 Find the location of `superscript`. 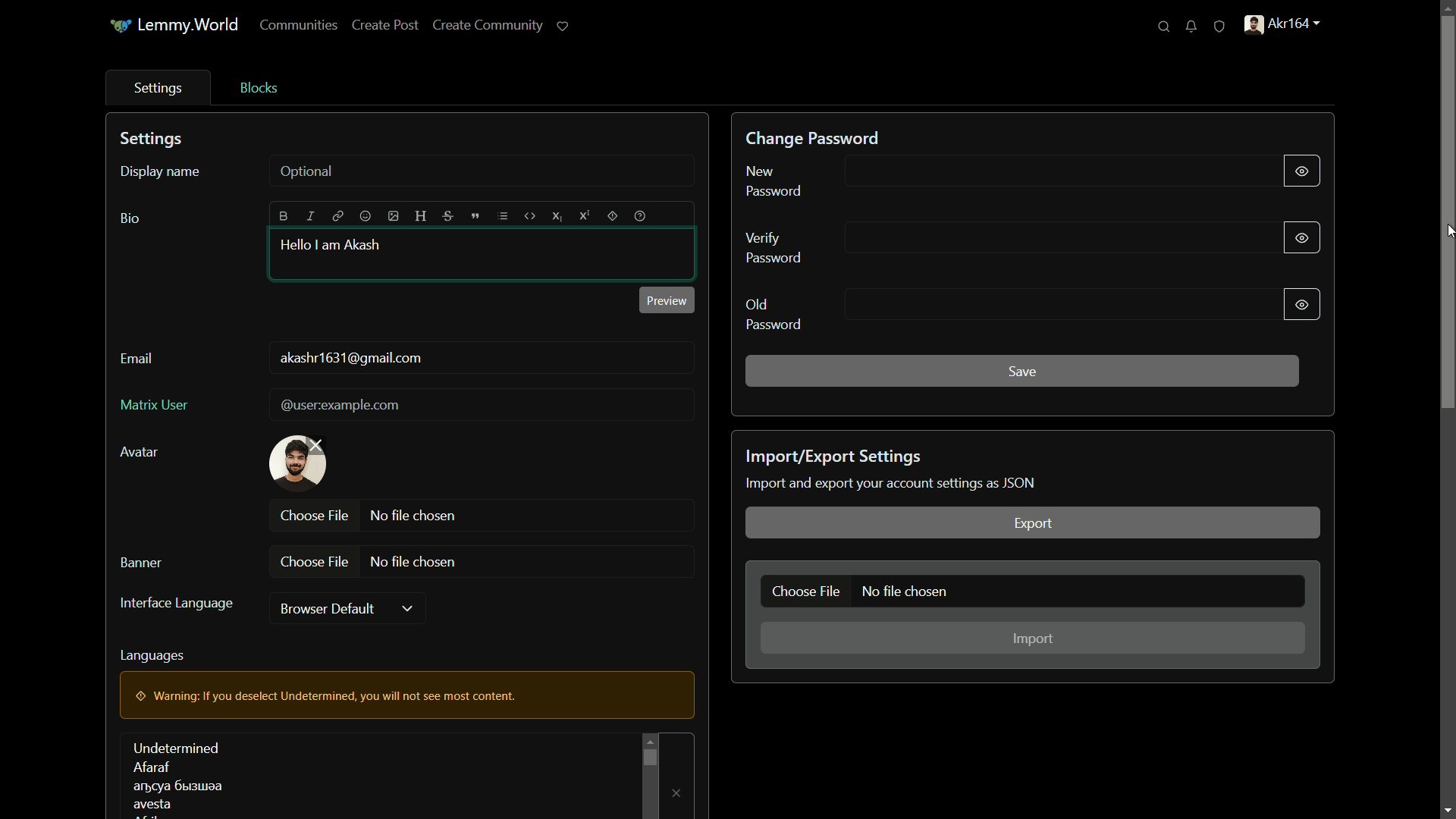

superscript is located at coordinates (585, 216).